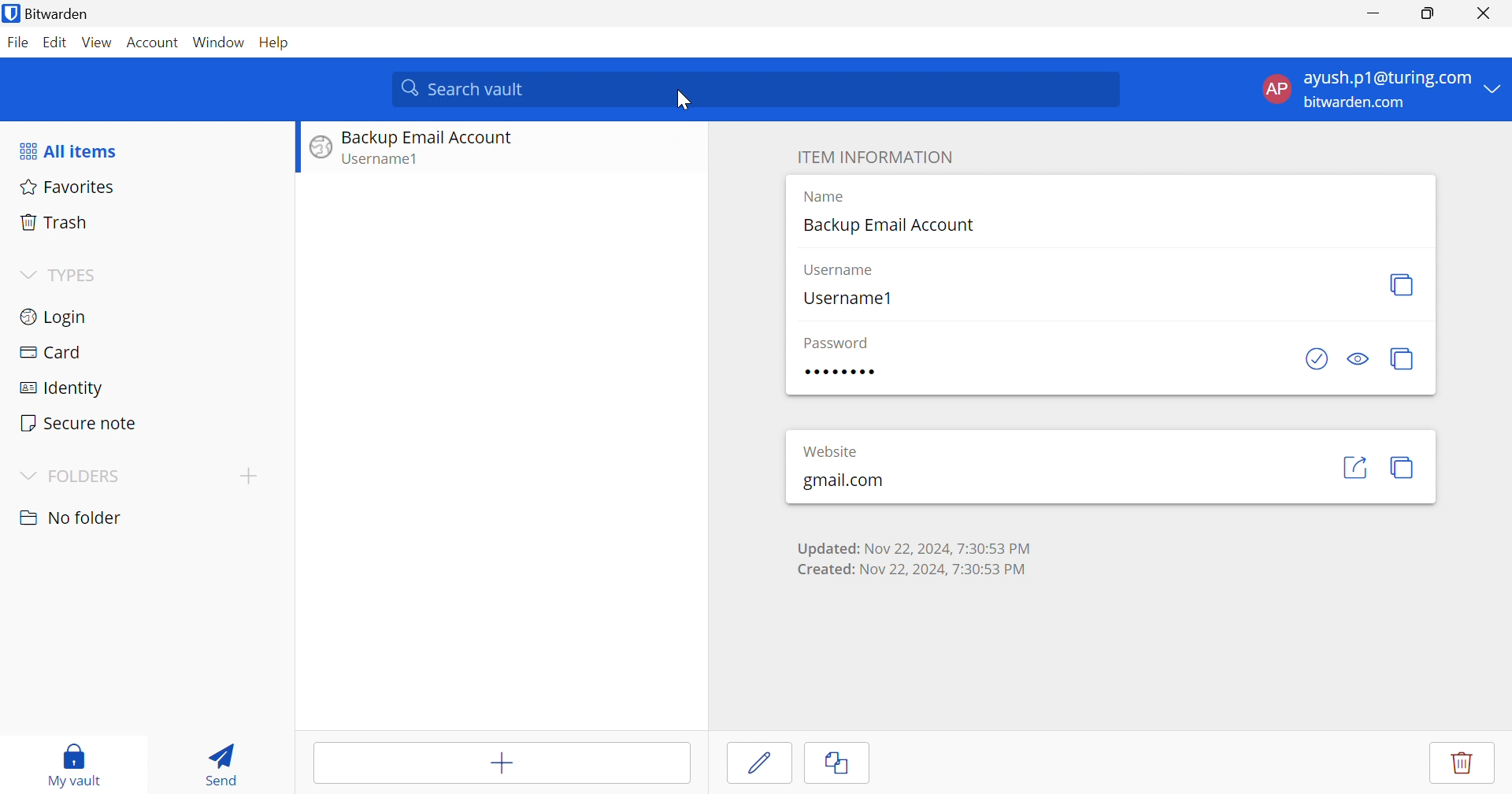 The height and width of the screenshot is (794, 1512). What do you see at coordinates (500, 760) in the screenshot?
I see `Add item` at bounding box center [500, 760].